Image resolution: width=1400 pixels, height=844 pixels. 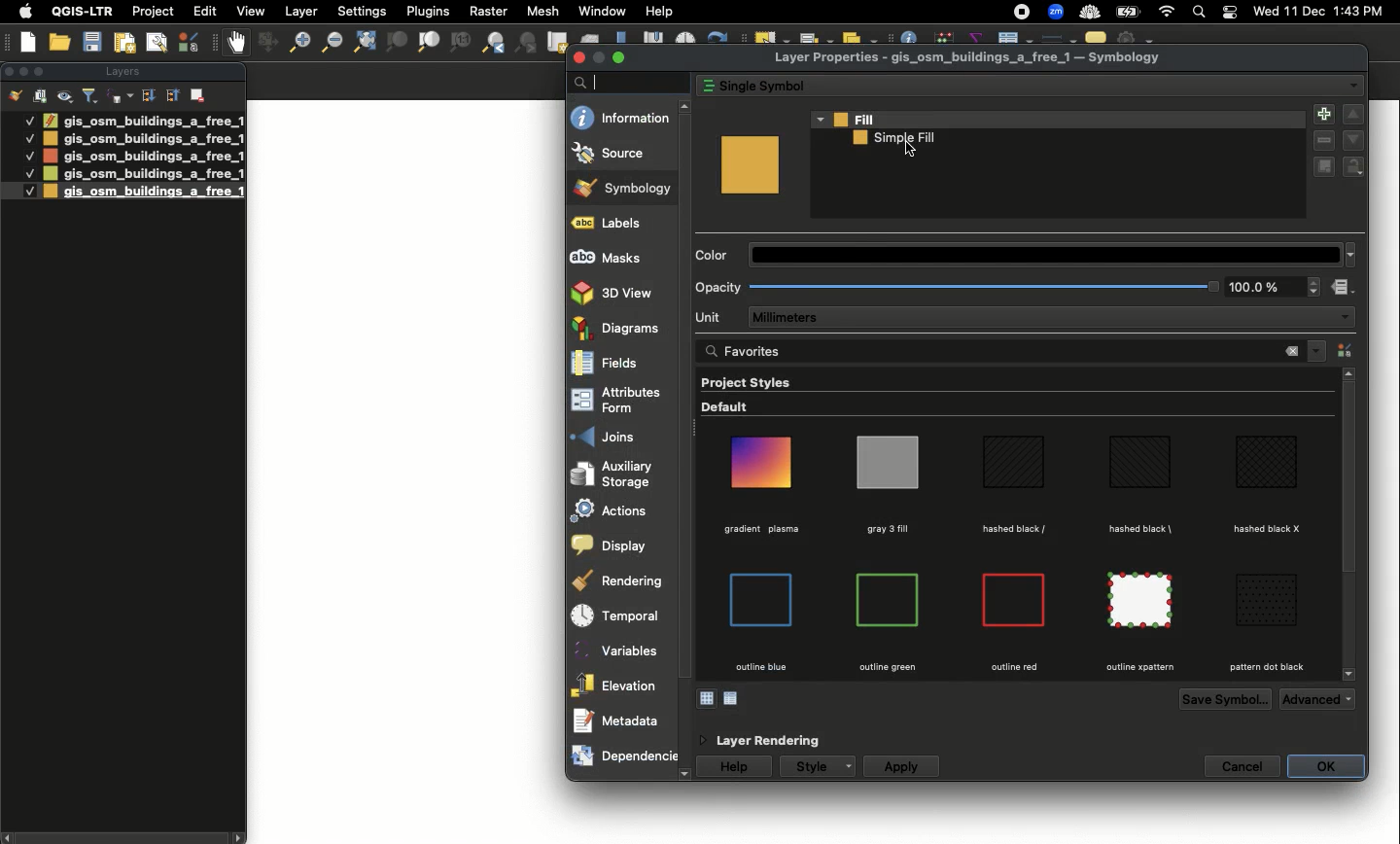 I want to click on up, so click(x=1348, y=373).